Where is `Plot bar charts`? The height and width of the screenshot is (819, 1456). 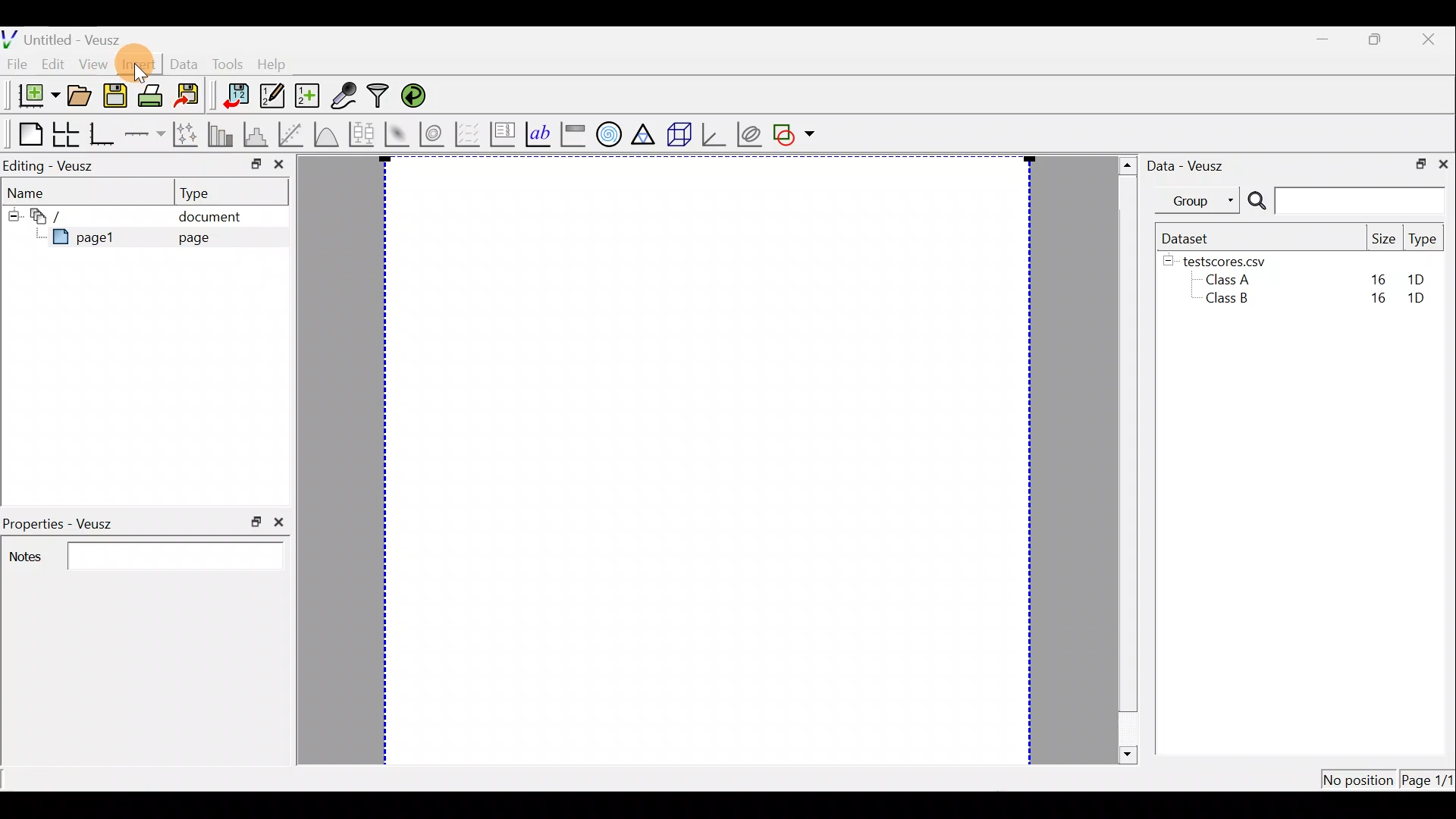 Plot bar charts is located at coordinates (222, 134).